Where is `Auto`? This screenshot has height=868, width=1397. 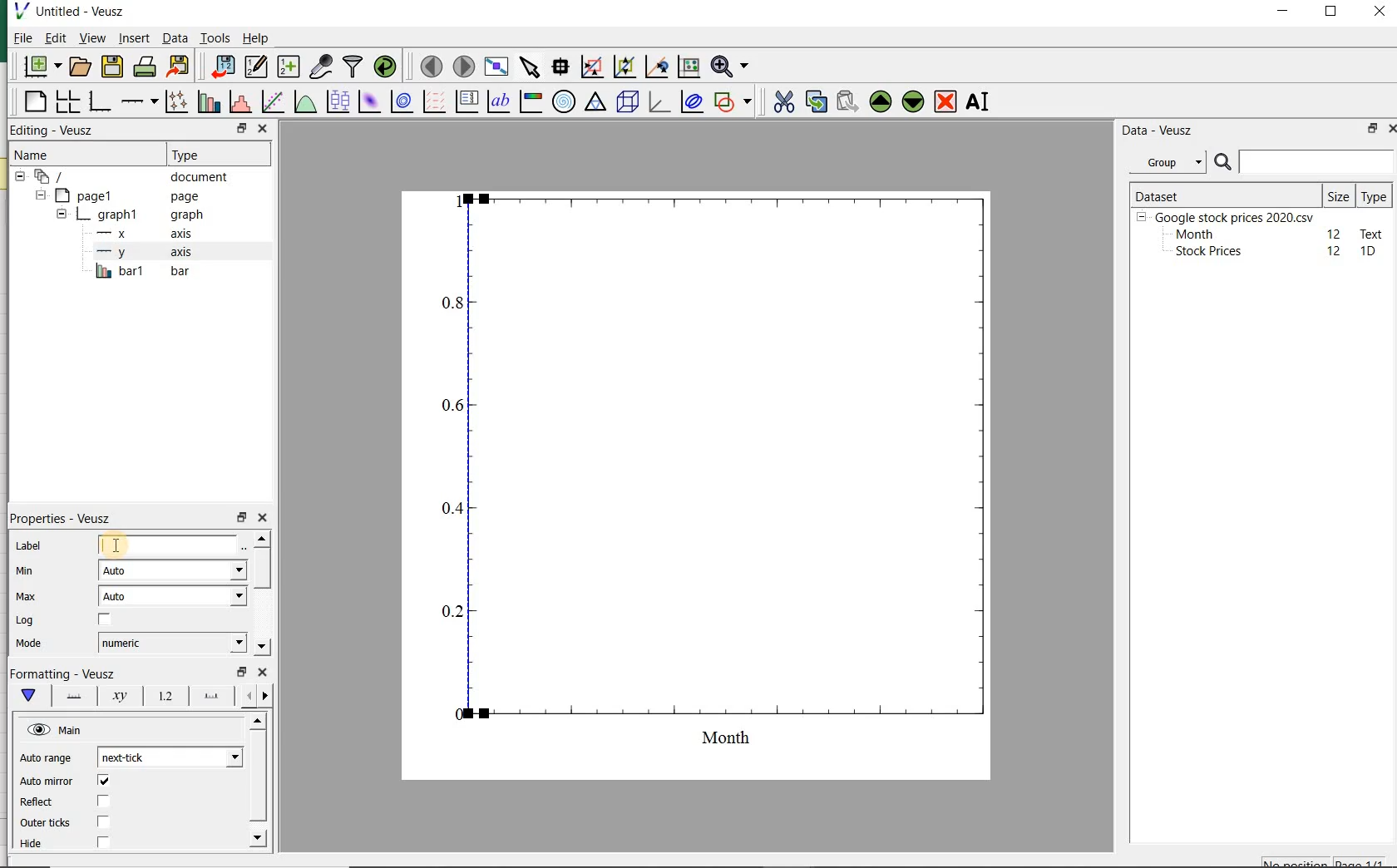
Auto is located at coordinates (173, 596).